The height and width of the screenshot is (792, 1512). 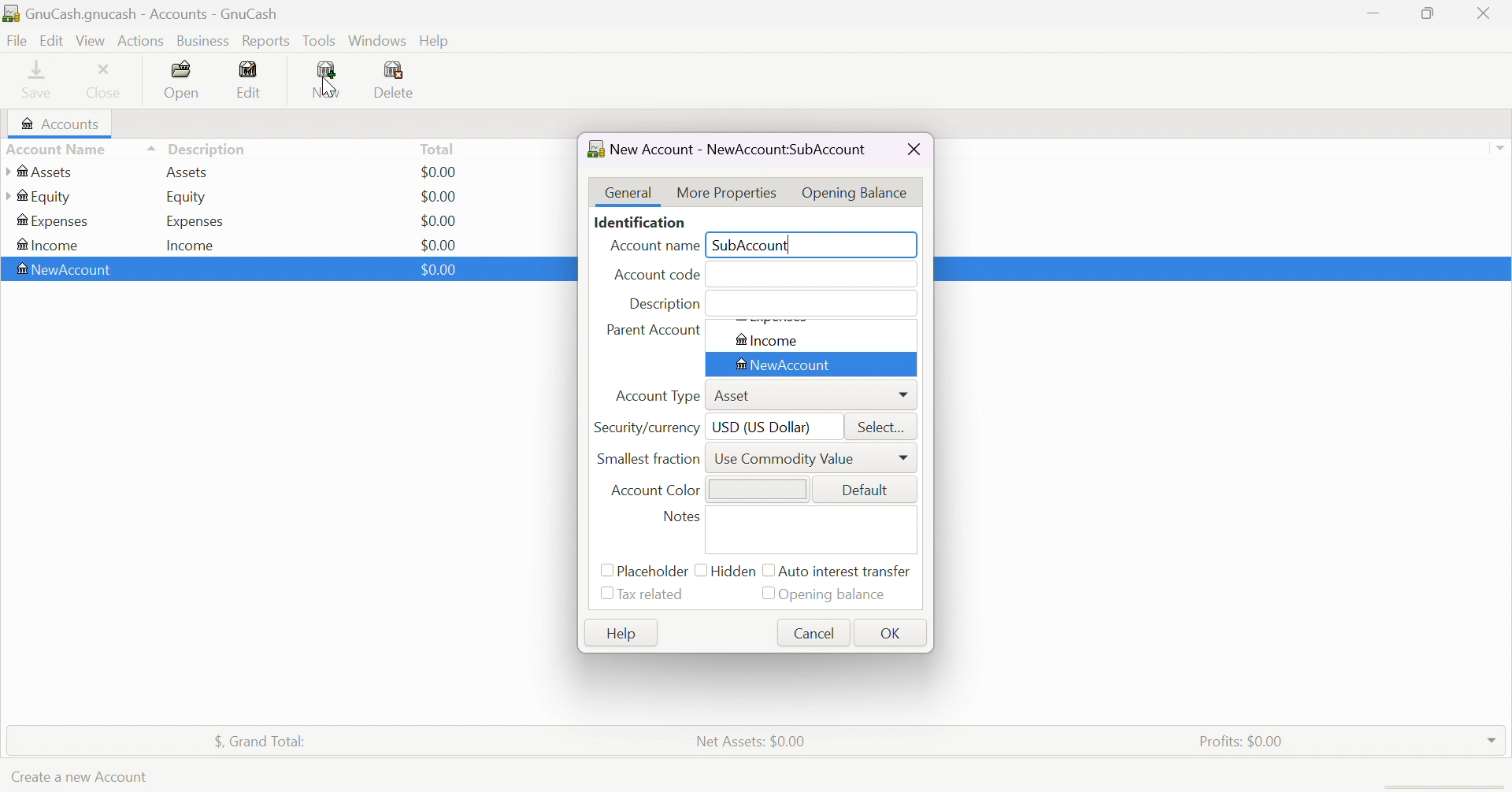 What do you see at coordinates (327, 81) in the screenshot?
I see `New` at bounding box center [327, 81].